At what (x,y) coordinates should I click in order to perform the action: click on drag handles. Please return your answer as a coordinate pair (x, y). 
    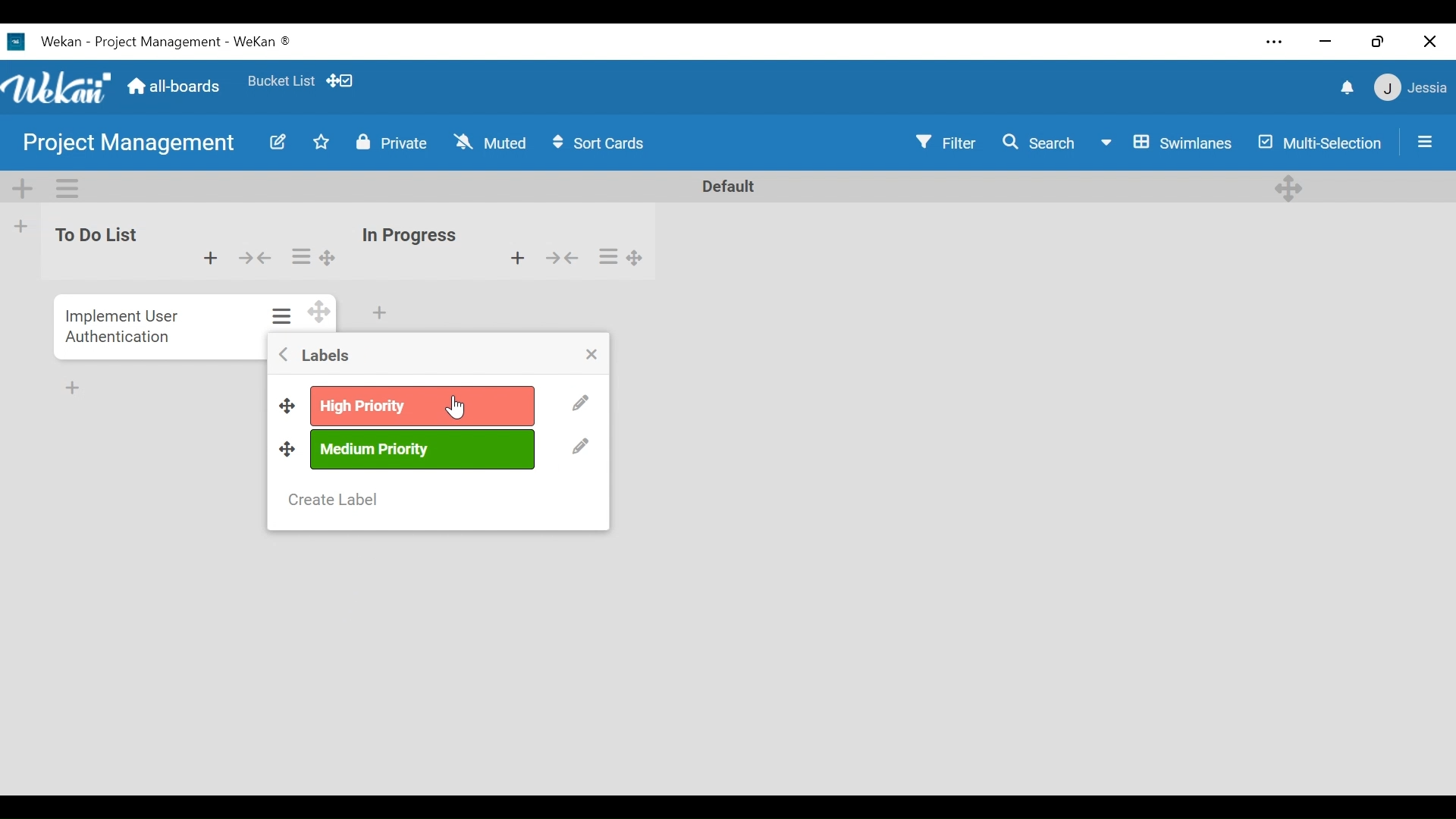
    Looking at the image, I should click on (287, 449).